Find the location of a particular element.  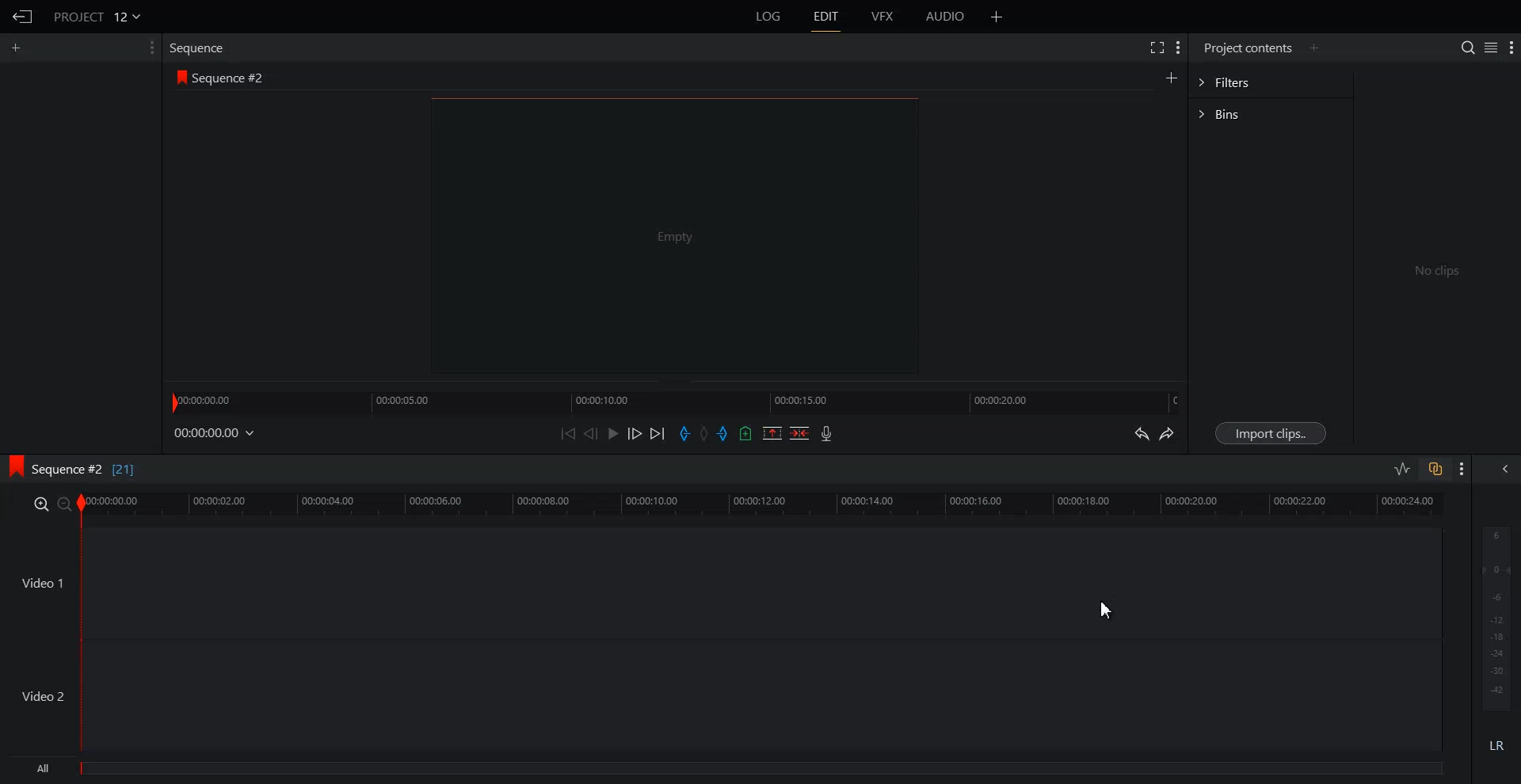

Audio Output level is located at coordinates (1494, 618).